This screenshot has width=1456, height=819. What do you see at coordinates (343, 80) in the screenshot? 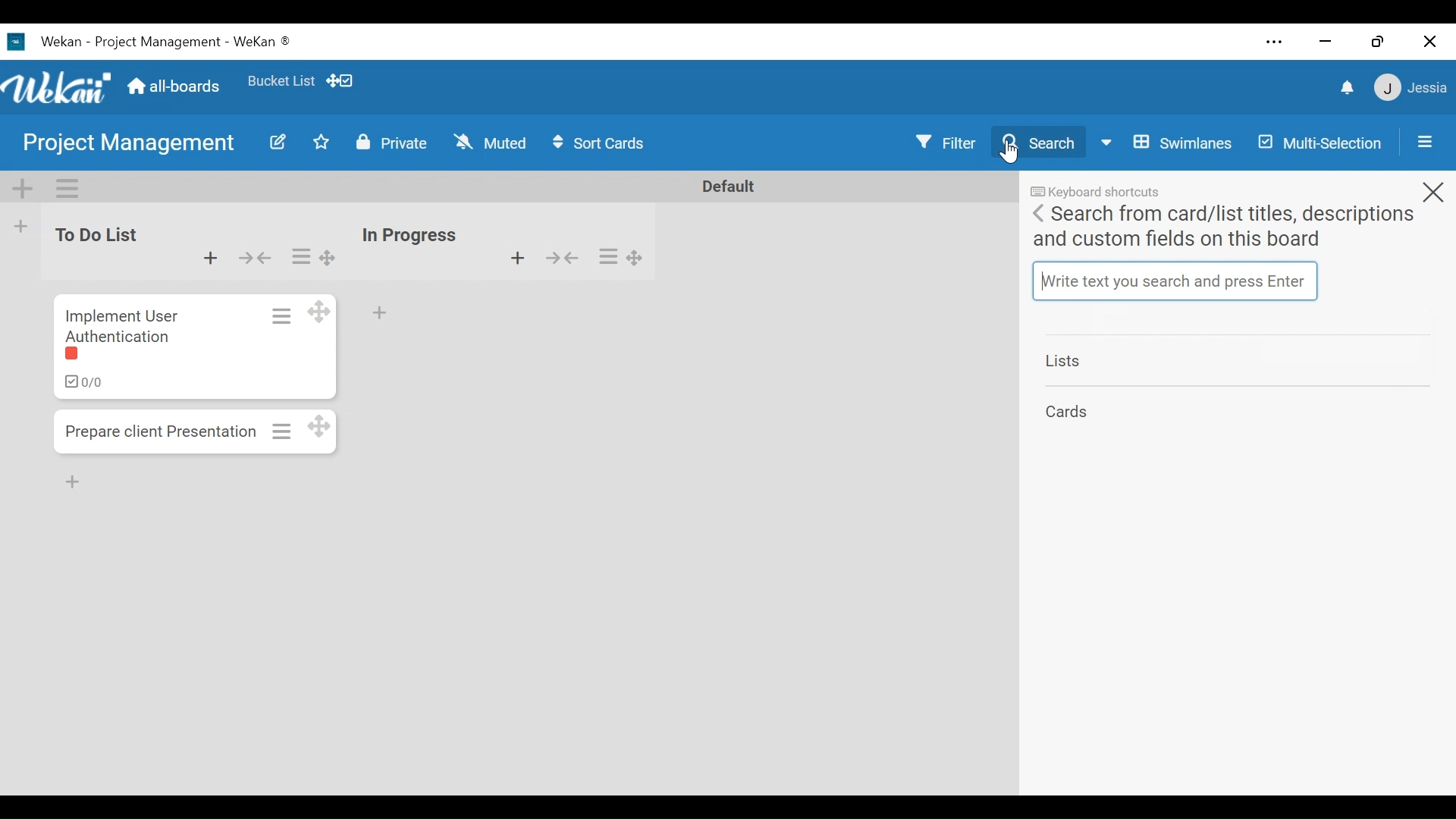
I see `Show/Hide Desktop drag icons` at bounding box center [343, 80].